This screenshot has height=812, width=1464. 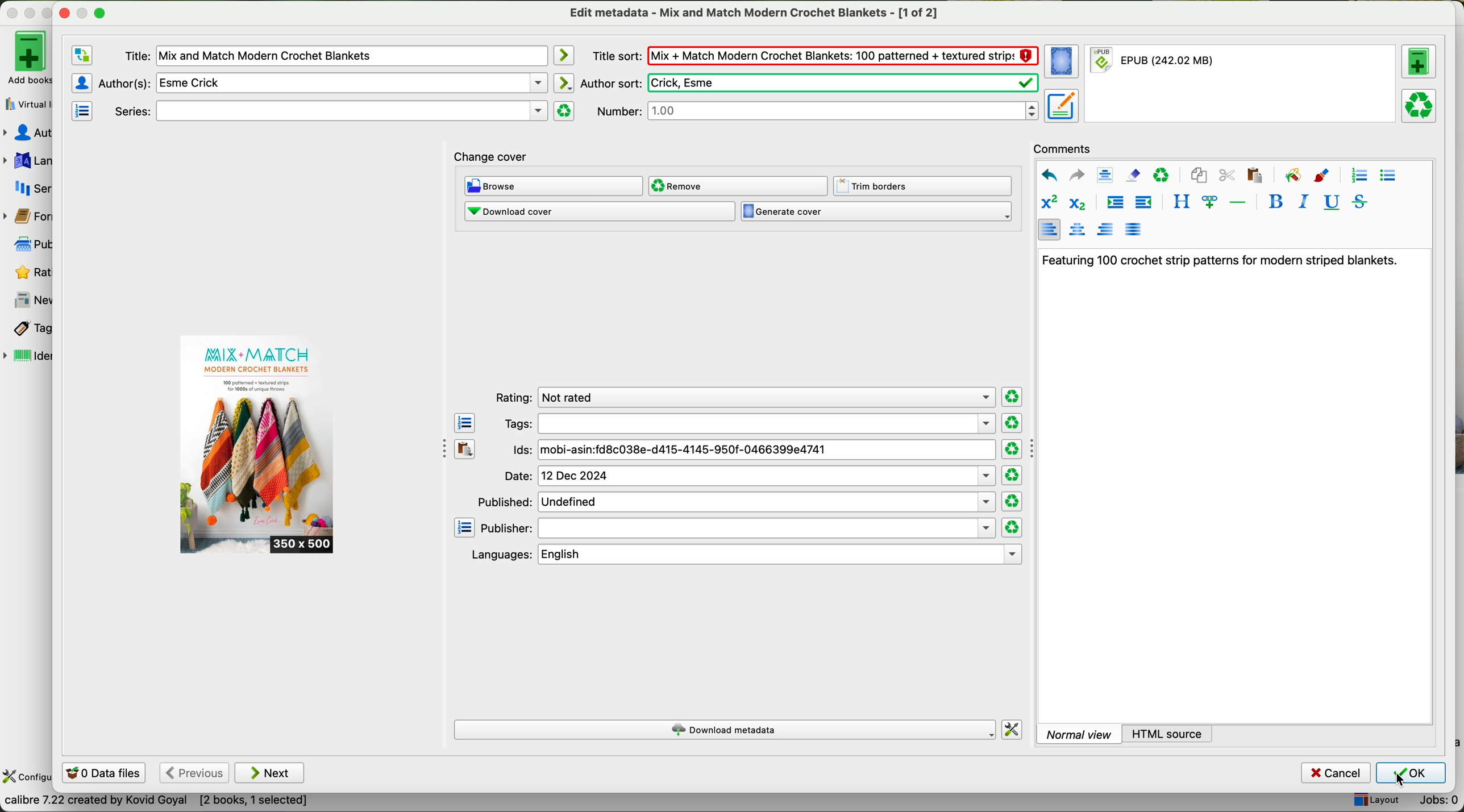 I want to click on generate cover, so click(x=876, y=212).